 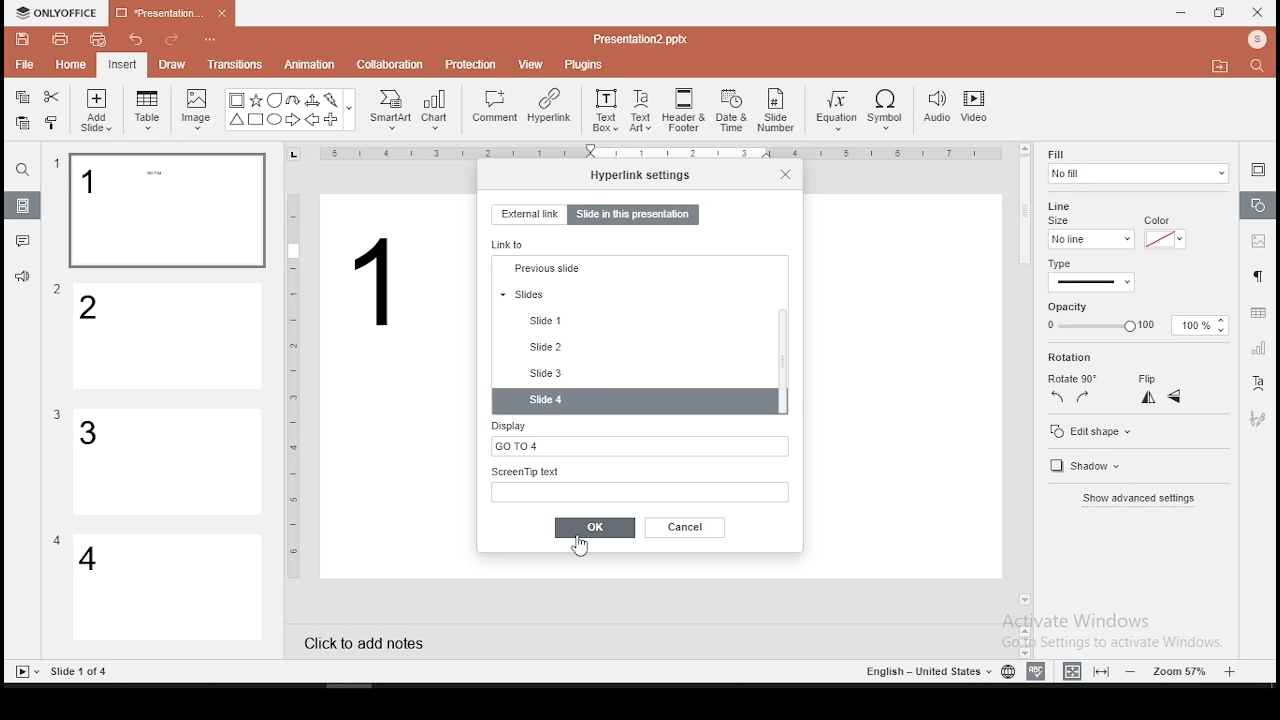 What do you see at coordinates (1068, 670) in the screenshot?
I see `fit to width` at bounding box center [1068, 670].